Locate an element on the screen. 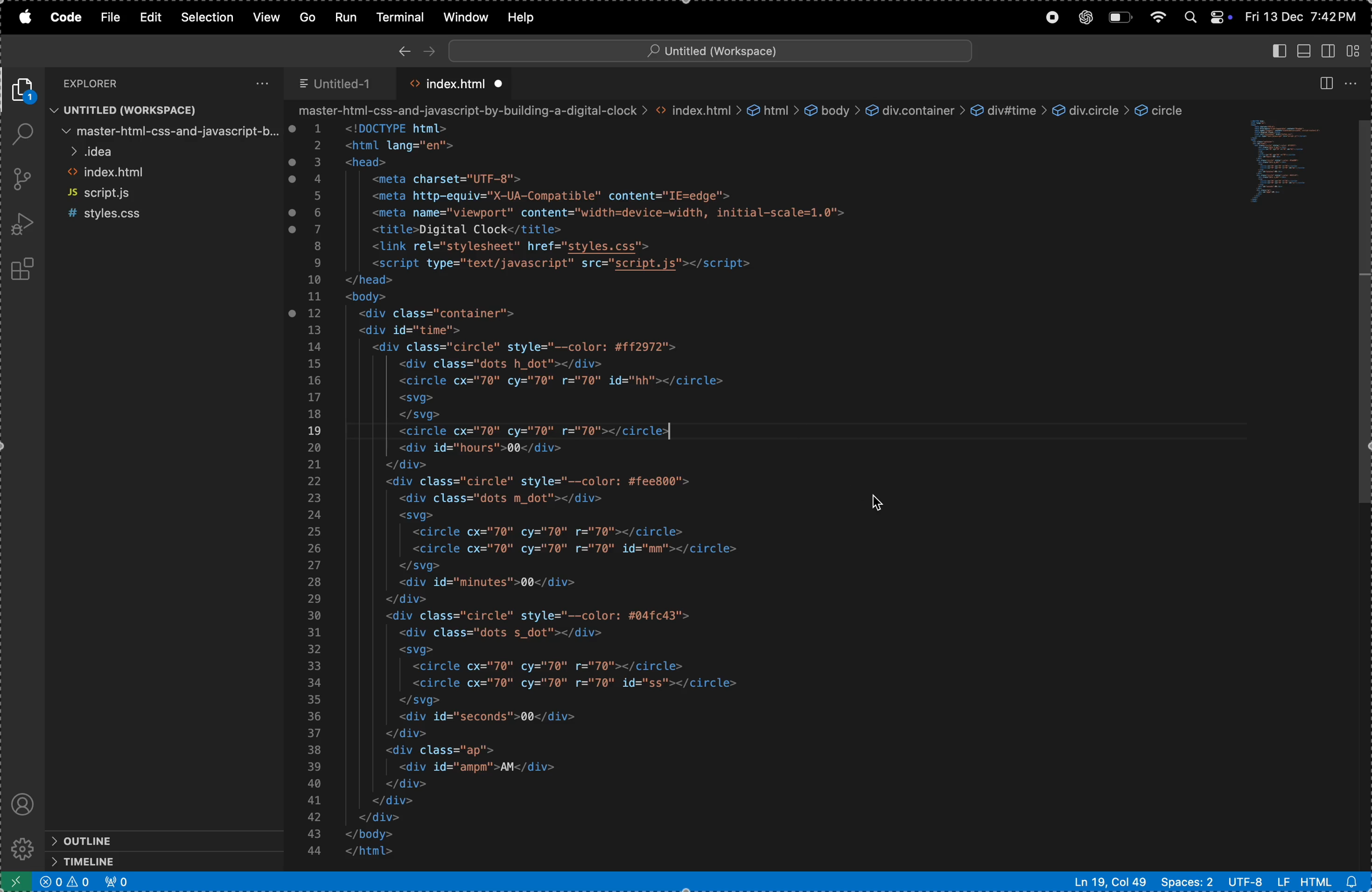 The height and width of the screenshot is (892, 1372). html alert is located at coordinates (1334, 880).